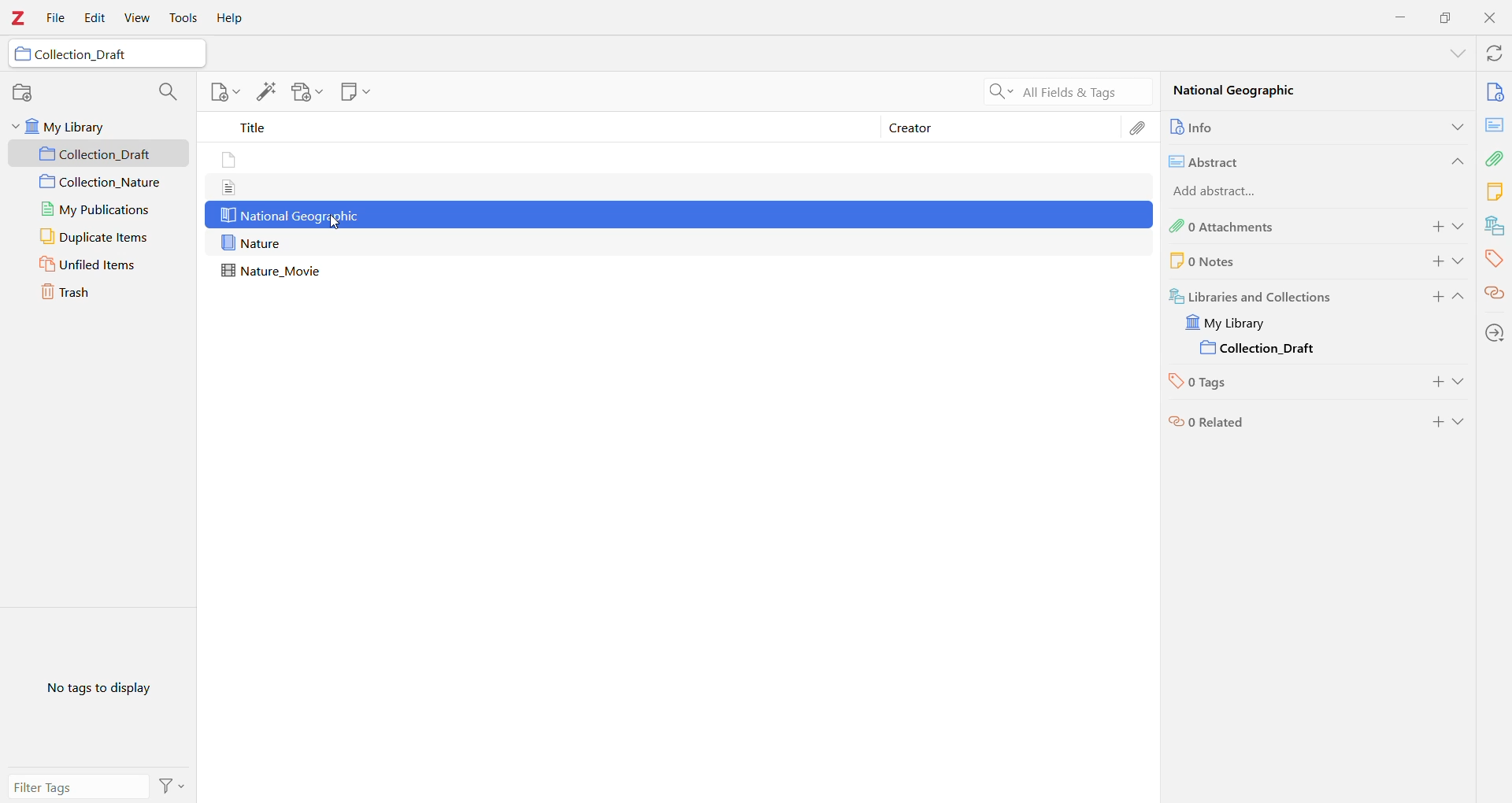 The width and height of the screenshot is (1512, 803). I want to click on nature, so click(254, 243).